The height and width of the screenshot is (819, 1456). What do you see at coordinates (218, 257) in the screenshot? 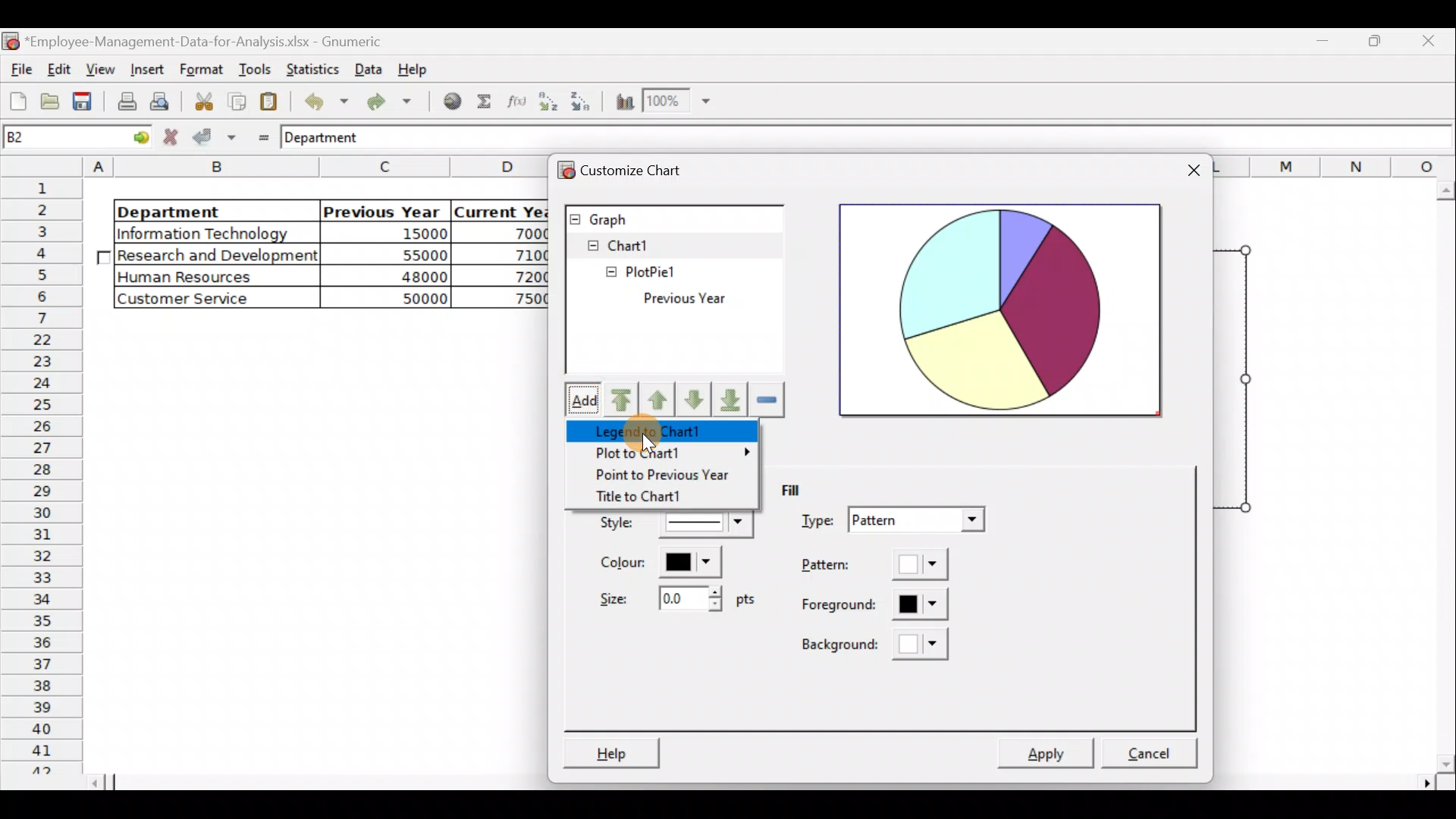
I see `Research and Development` at bounding box center [218, 257].